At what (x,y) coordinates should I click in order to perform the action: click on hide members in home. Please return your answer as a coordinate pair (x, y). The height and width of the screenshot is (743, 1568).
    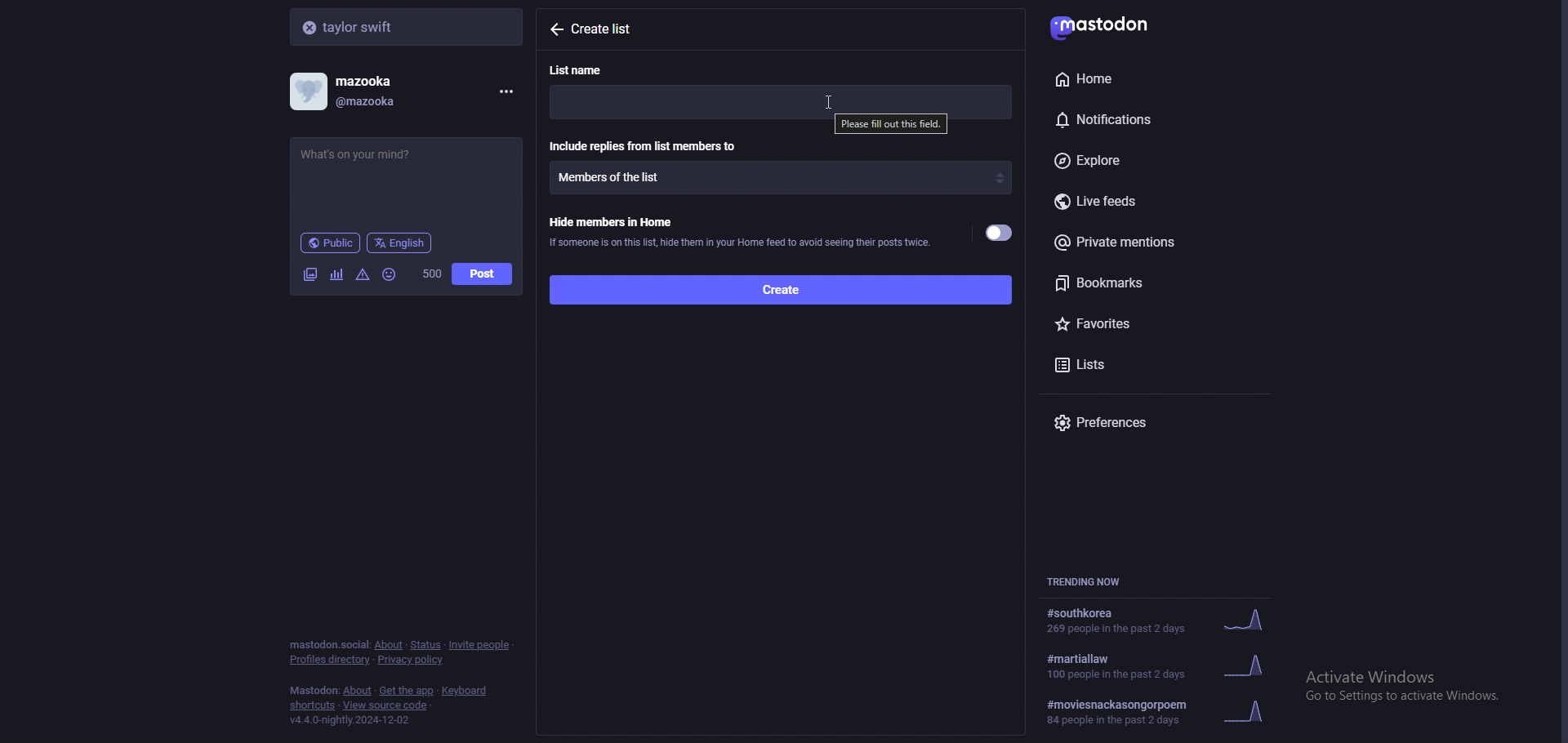
    Looking at the image, I should click on (739, 230).